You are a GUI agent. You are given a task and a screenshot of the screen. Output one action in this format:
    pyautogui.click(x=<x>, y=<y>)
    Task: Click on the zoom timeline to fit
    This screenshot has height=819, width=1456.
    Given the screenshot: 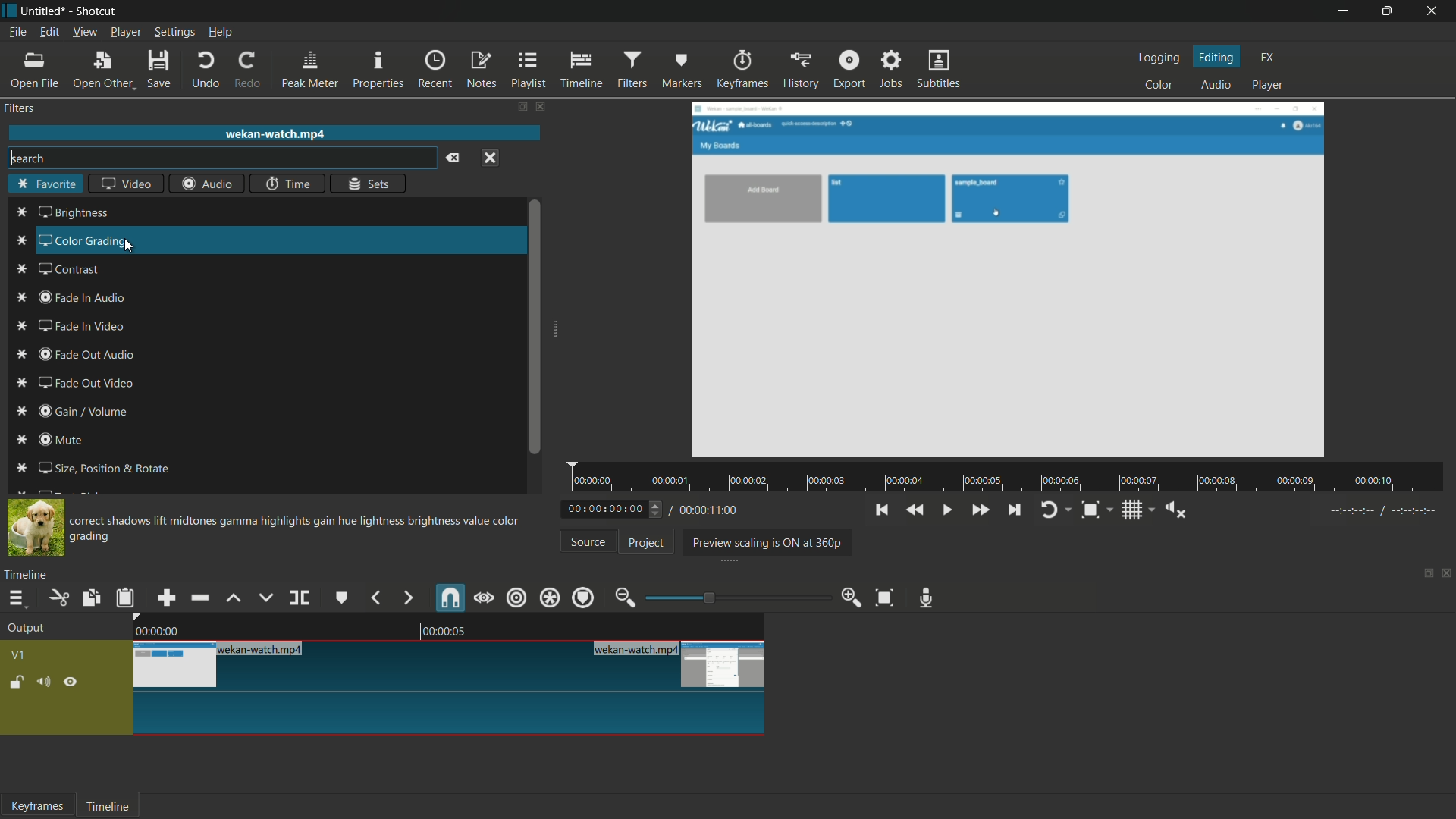 What is the action you would take?
    pyautogui.click(x=885, y=598)
    